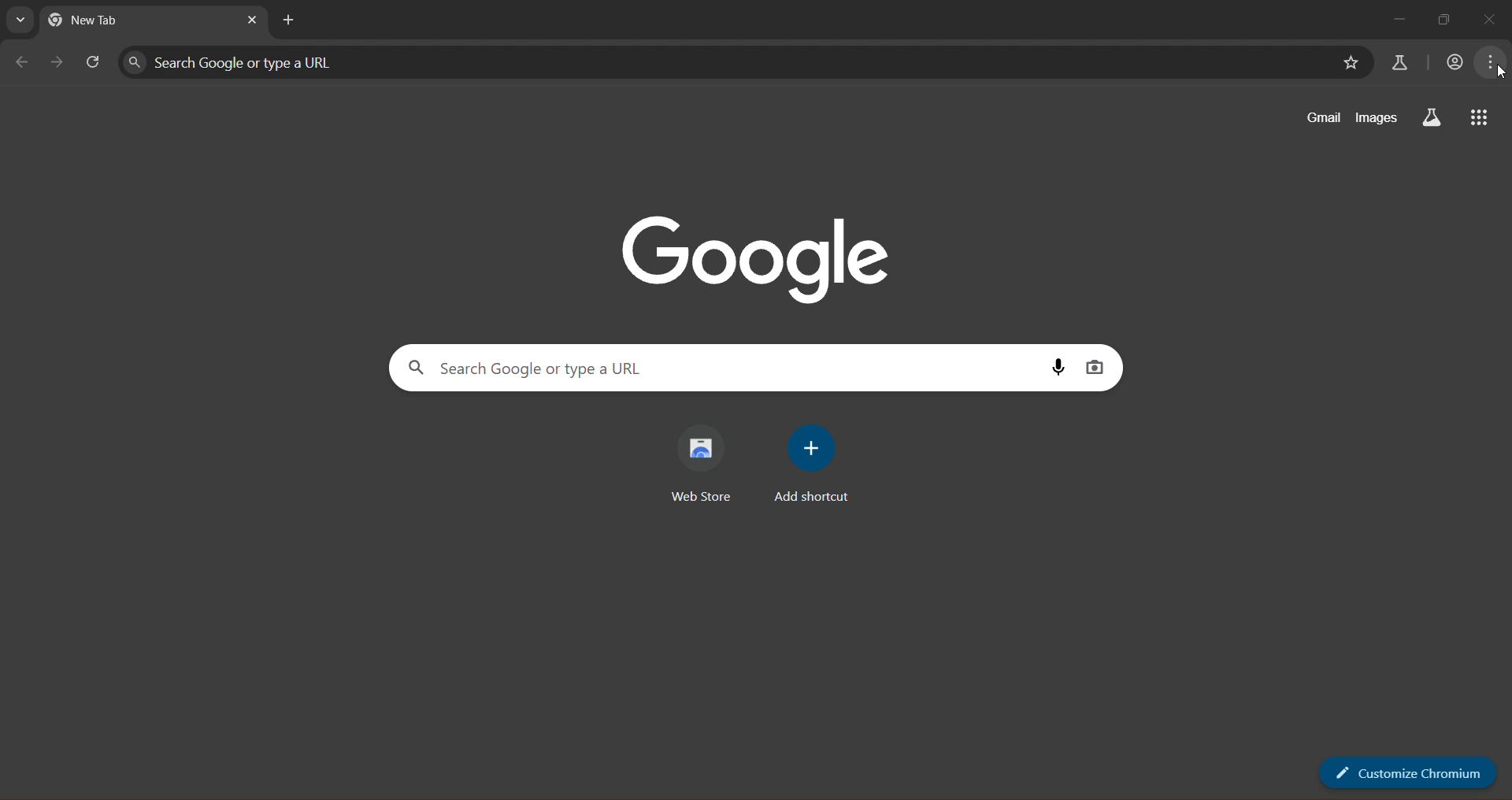  I want to click on search labs, so click(1435, 120).